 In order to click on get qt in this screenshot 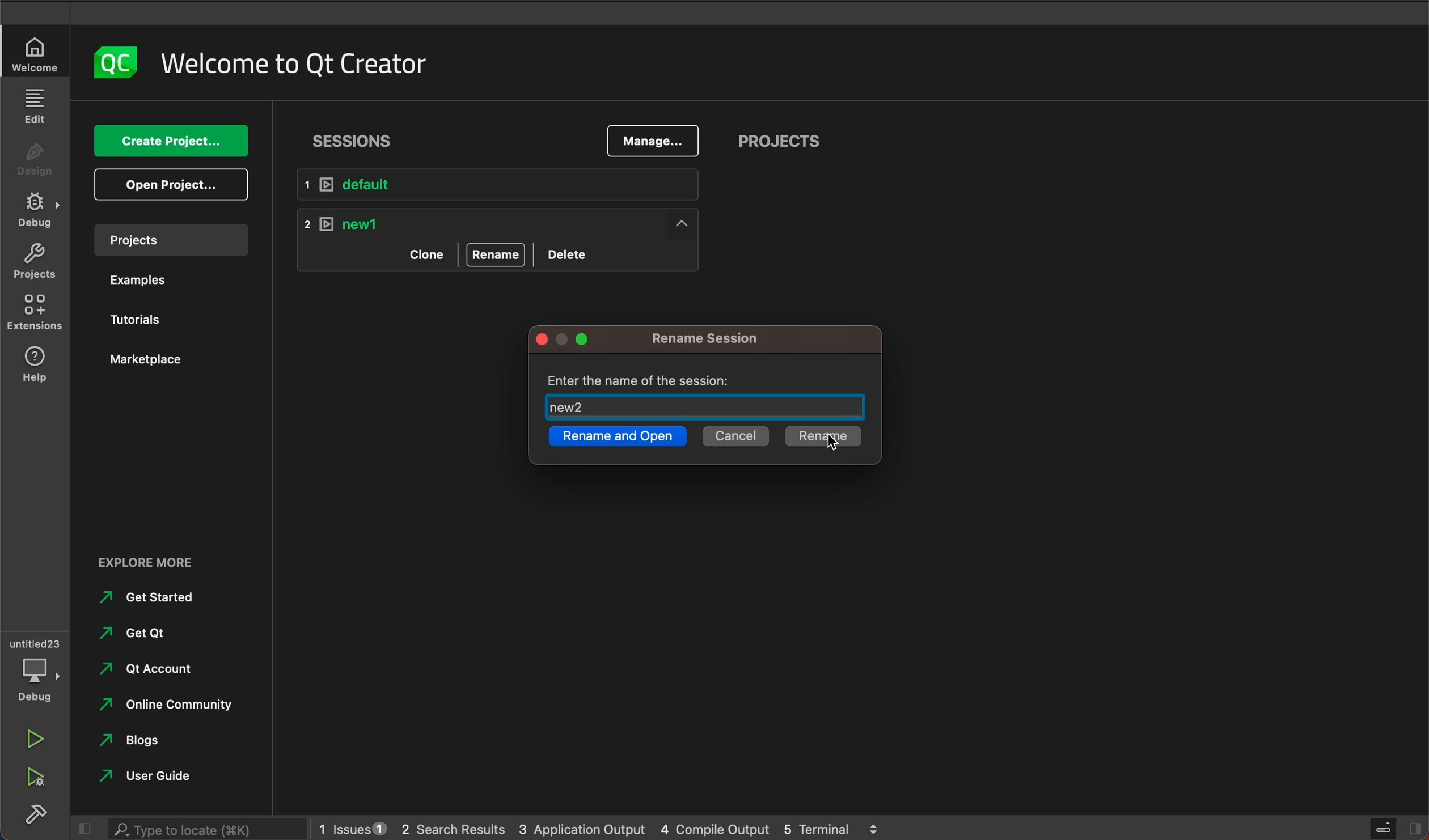, I will do `click(144, 632)`.